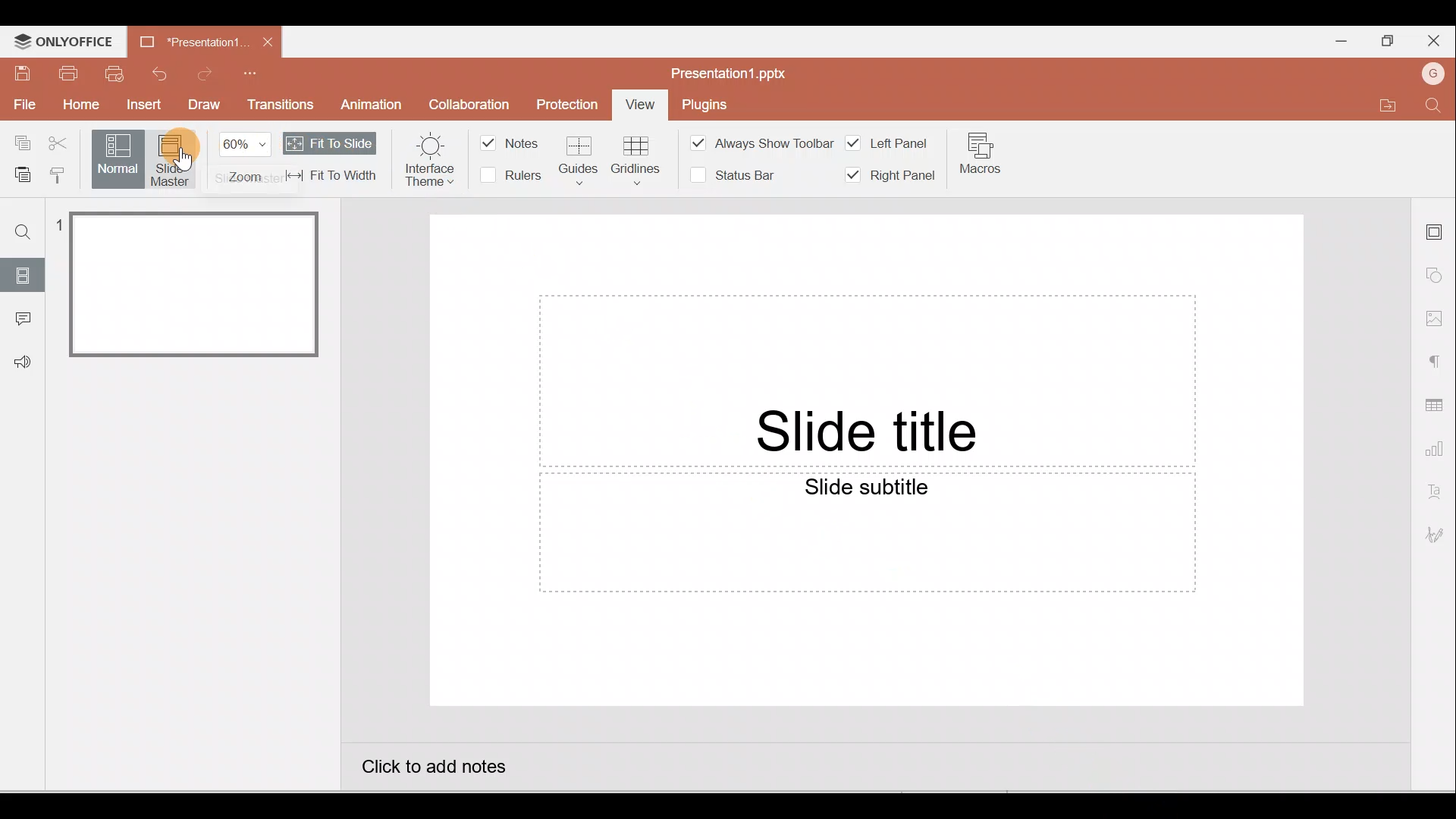  Describe the element at coordinates (19, 72) in the screenshot. I see `Save` at that location.